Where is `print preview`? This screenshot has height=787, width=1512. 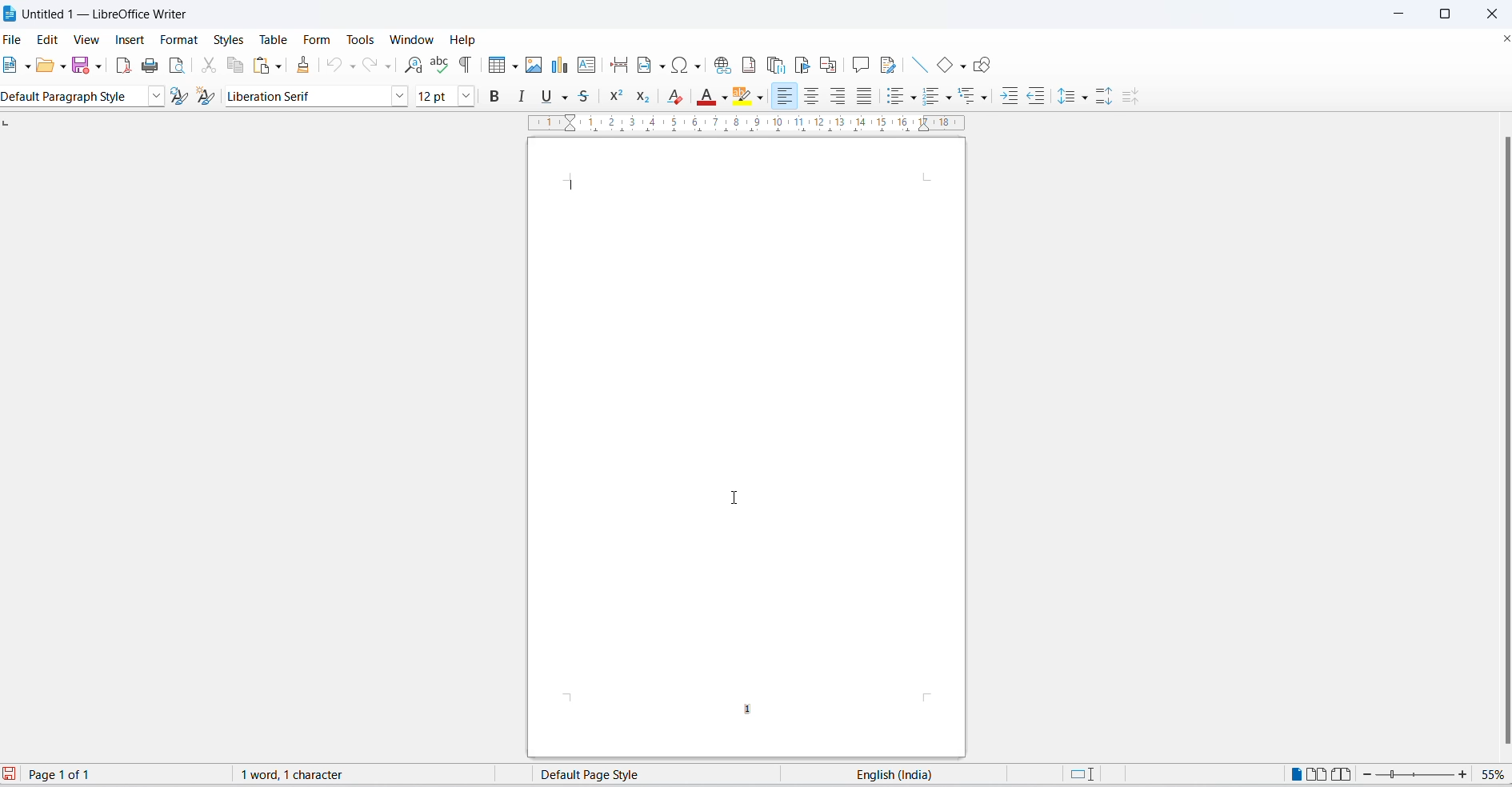 print preview is located at coordinates (178, 66).